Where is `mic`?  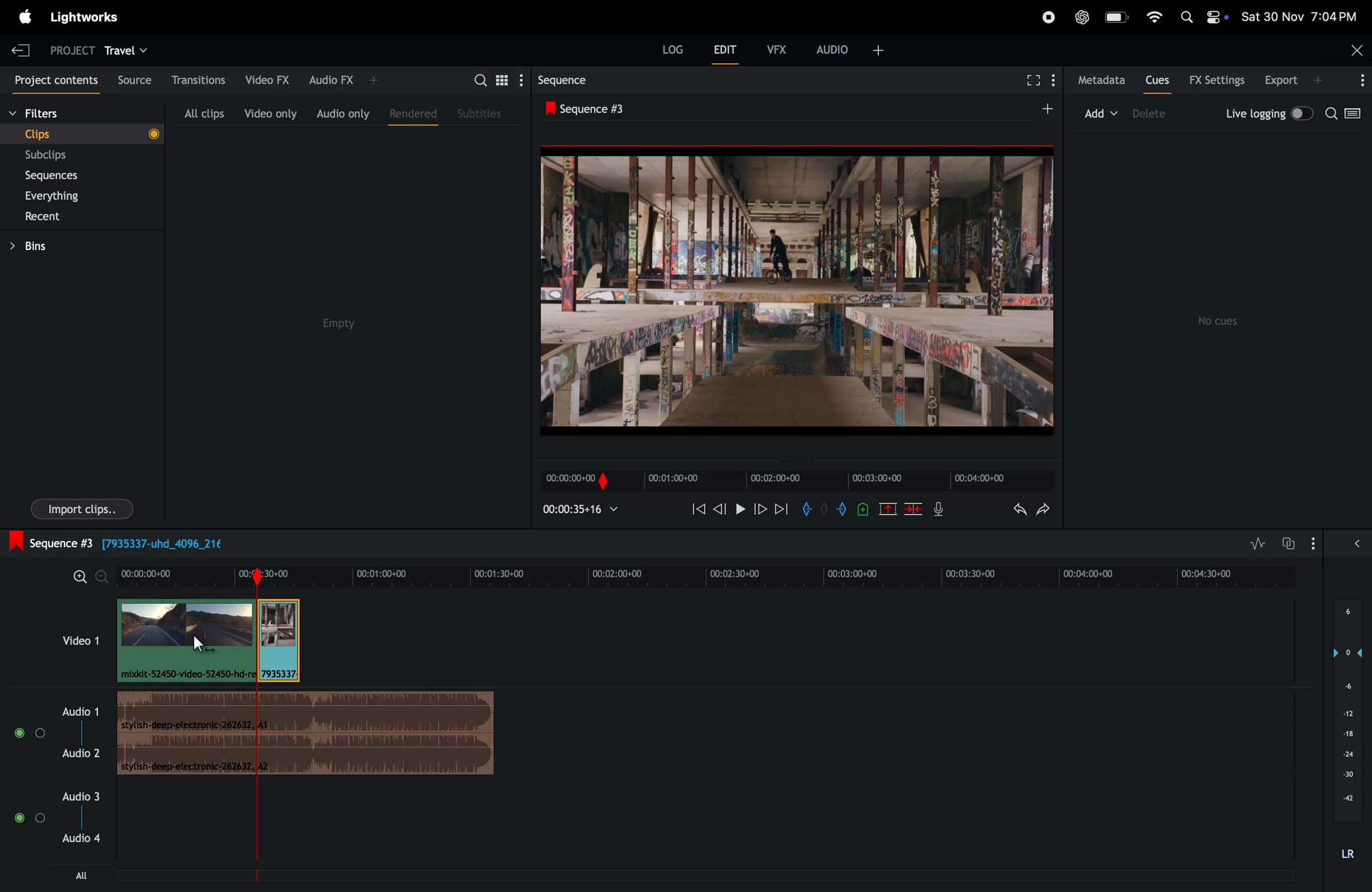 mic is located at coordinates (937, 511).